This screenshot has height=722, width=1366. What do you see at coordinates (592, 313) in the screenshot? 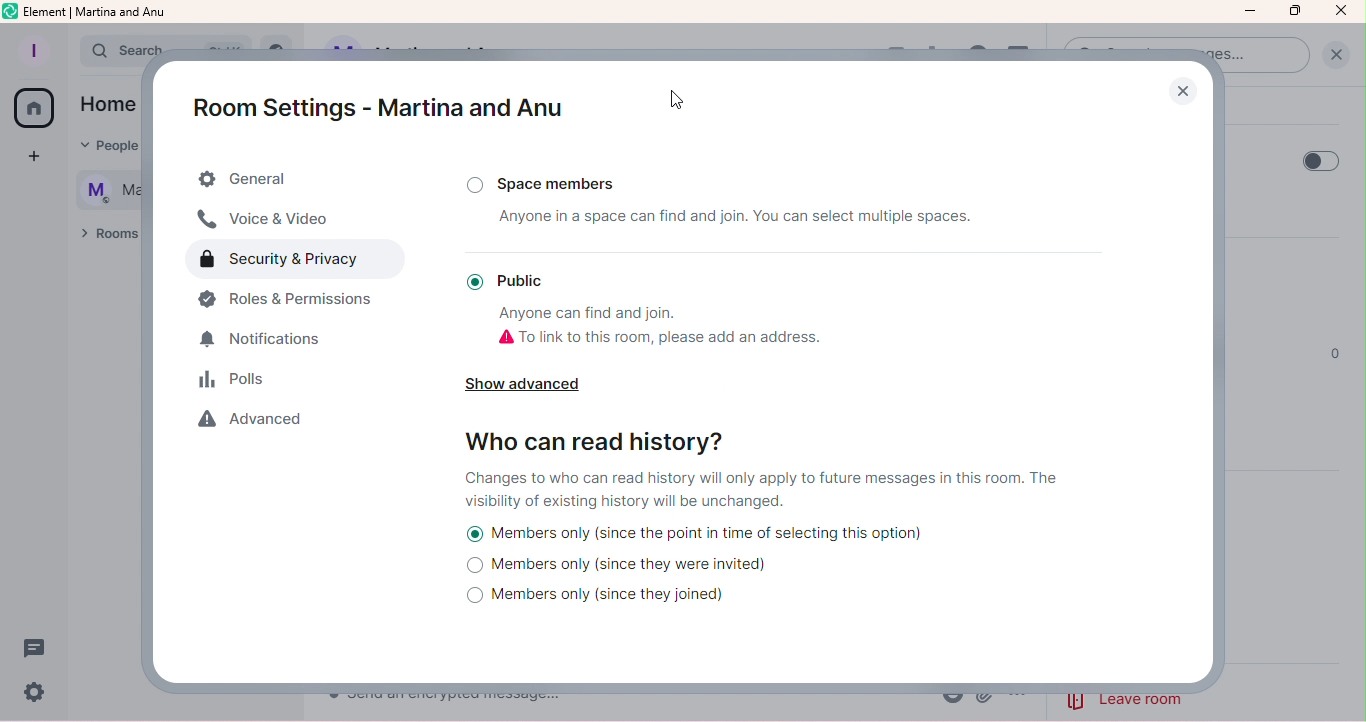
I see `Anyone can find and join.` at bounding box center [592, 313].